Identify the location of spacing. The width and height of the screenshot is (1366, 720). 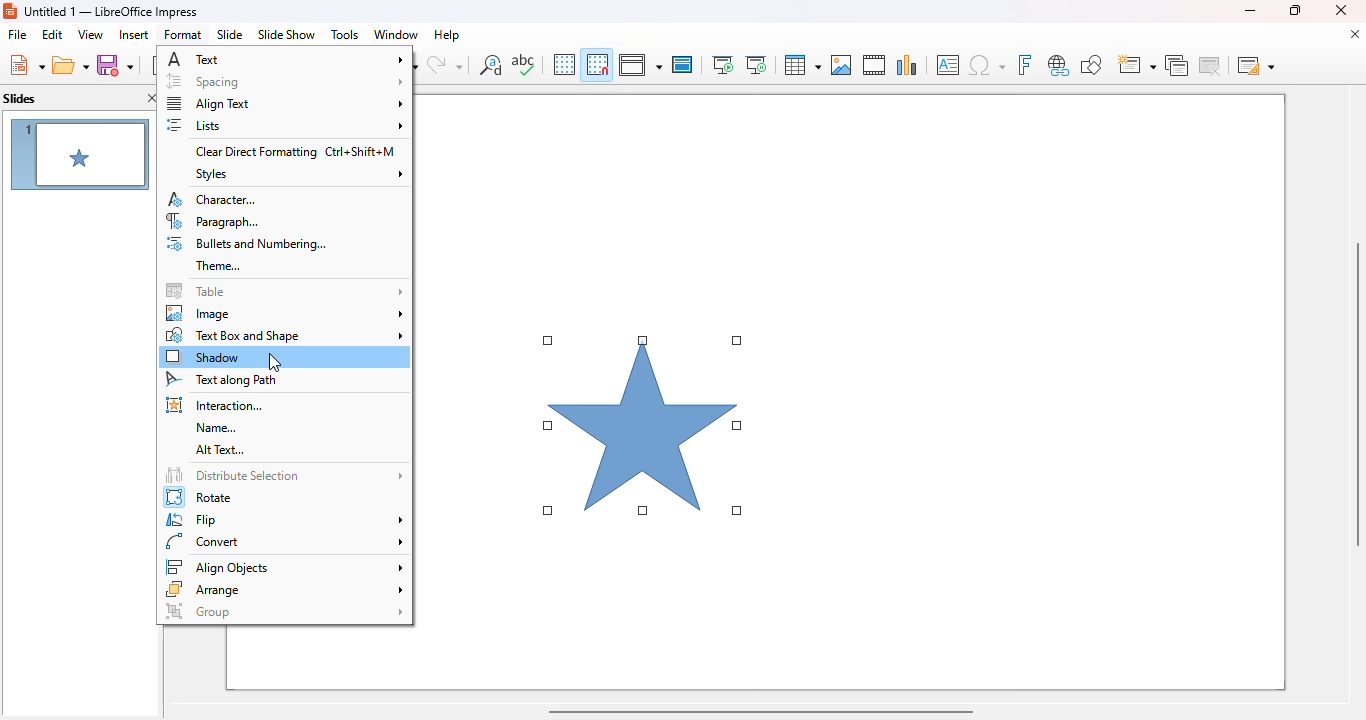
(285, 81).